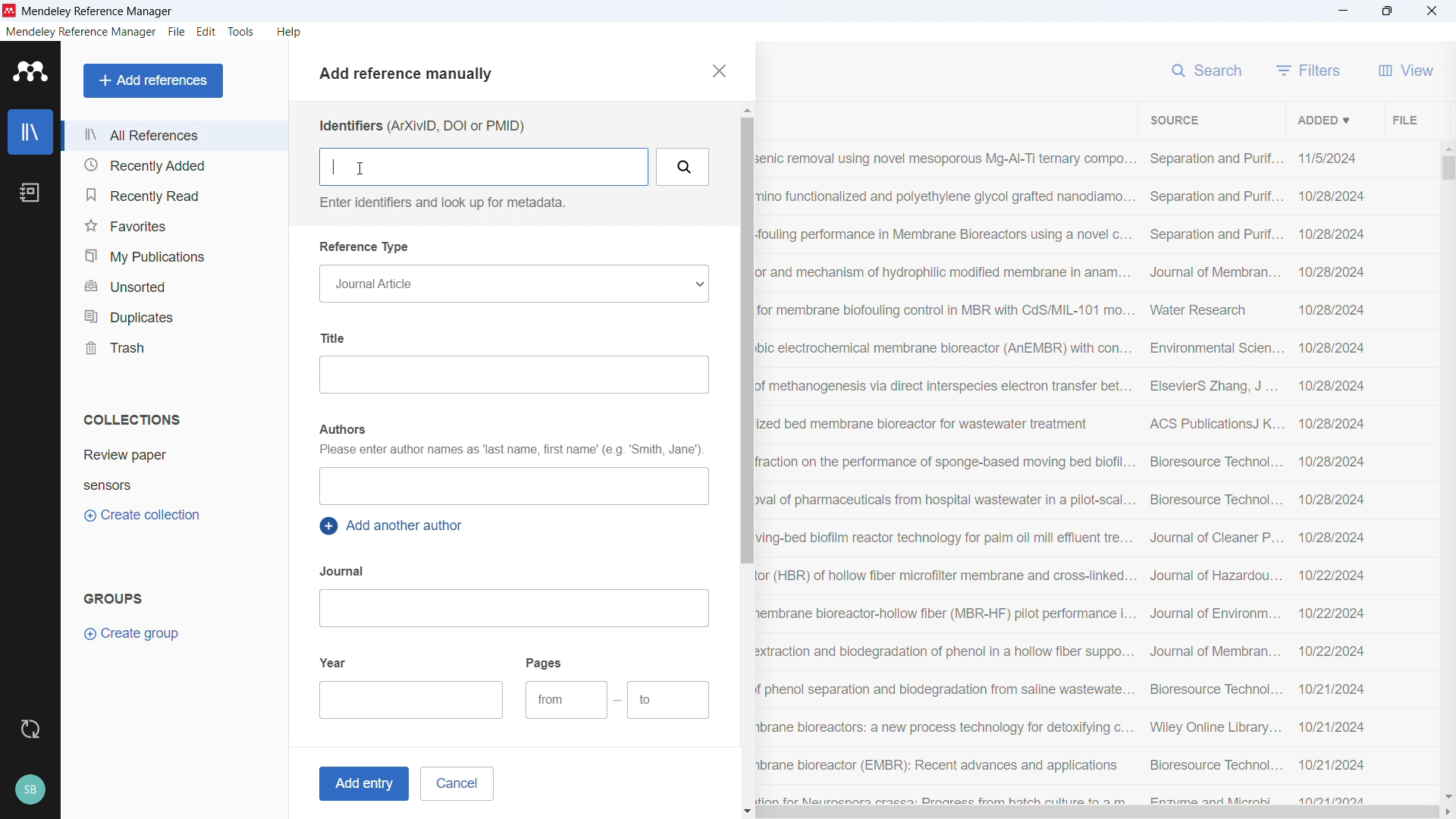  I want to click on Ending page , so click(669, 701).